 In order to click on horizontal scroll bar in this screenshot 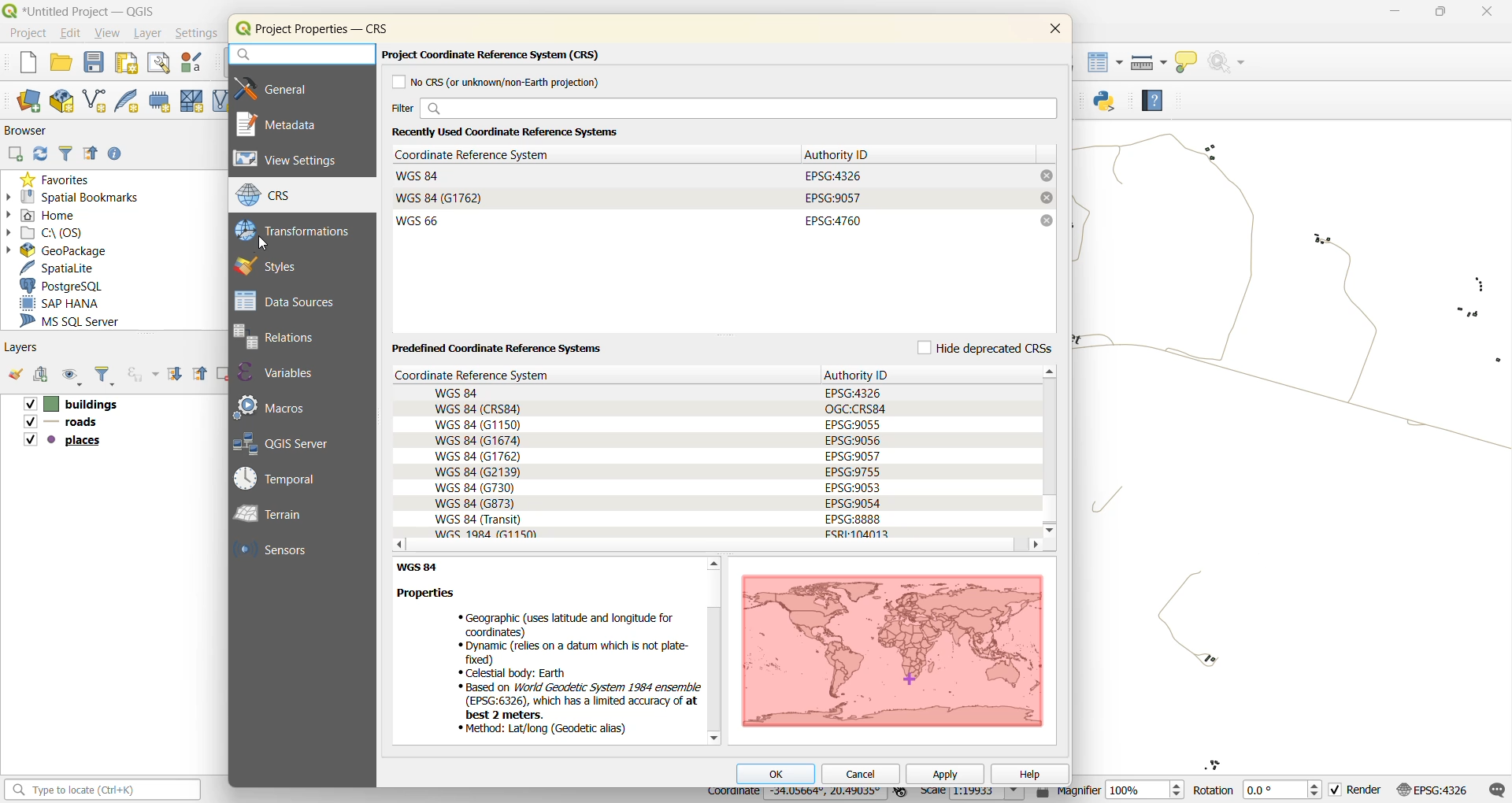, I will do `click(713, 546)`.